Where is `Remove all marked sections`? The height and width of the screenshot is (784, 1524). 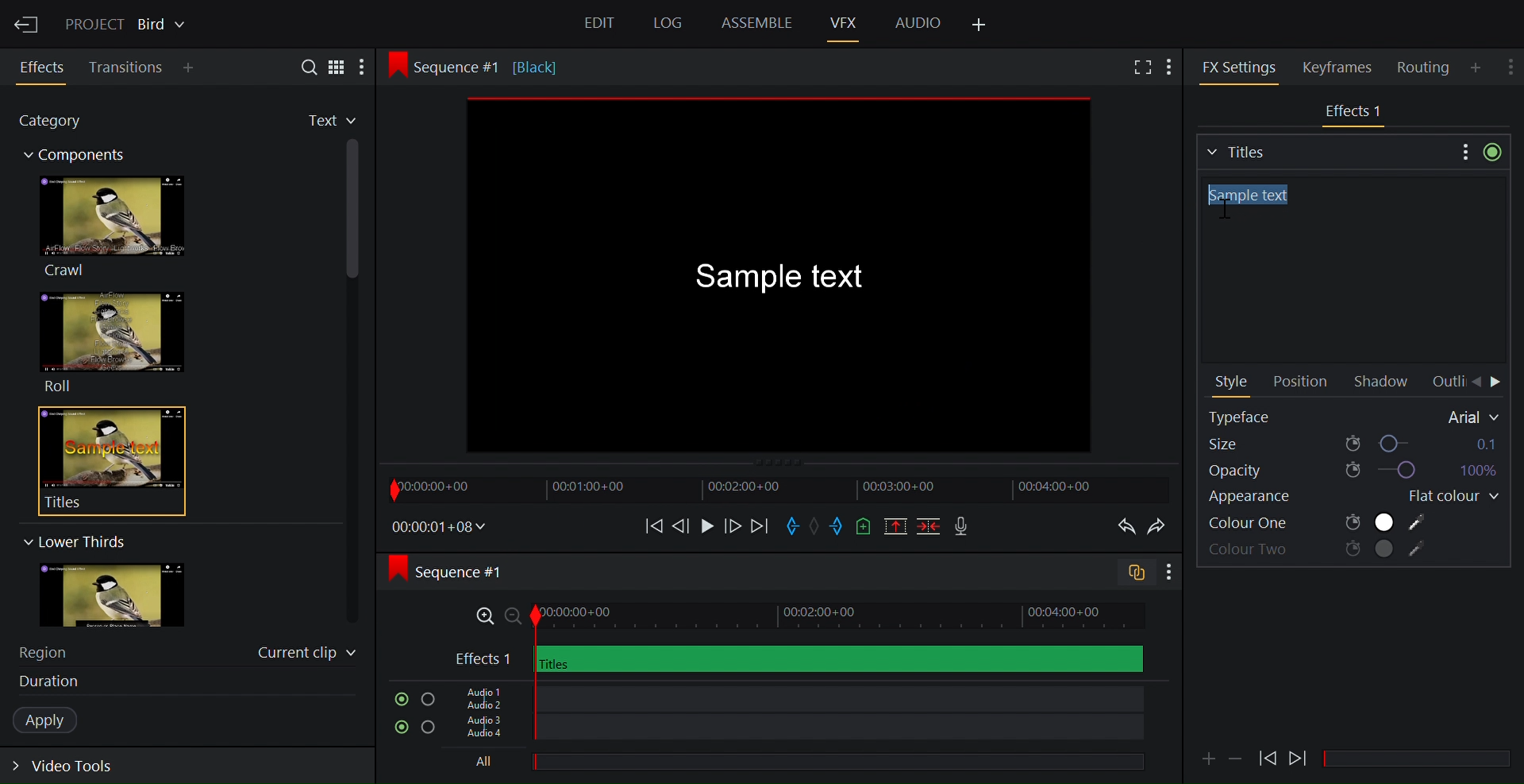 Remove all marked sections is located at coordinates (897, 528).